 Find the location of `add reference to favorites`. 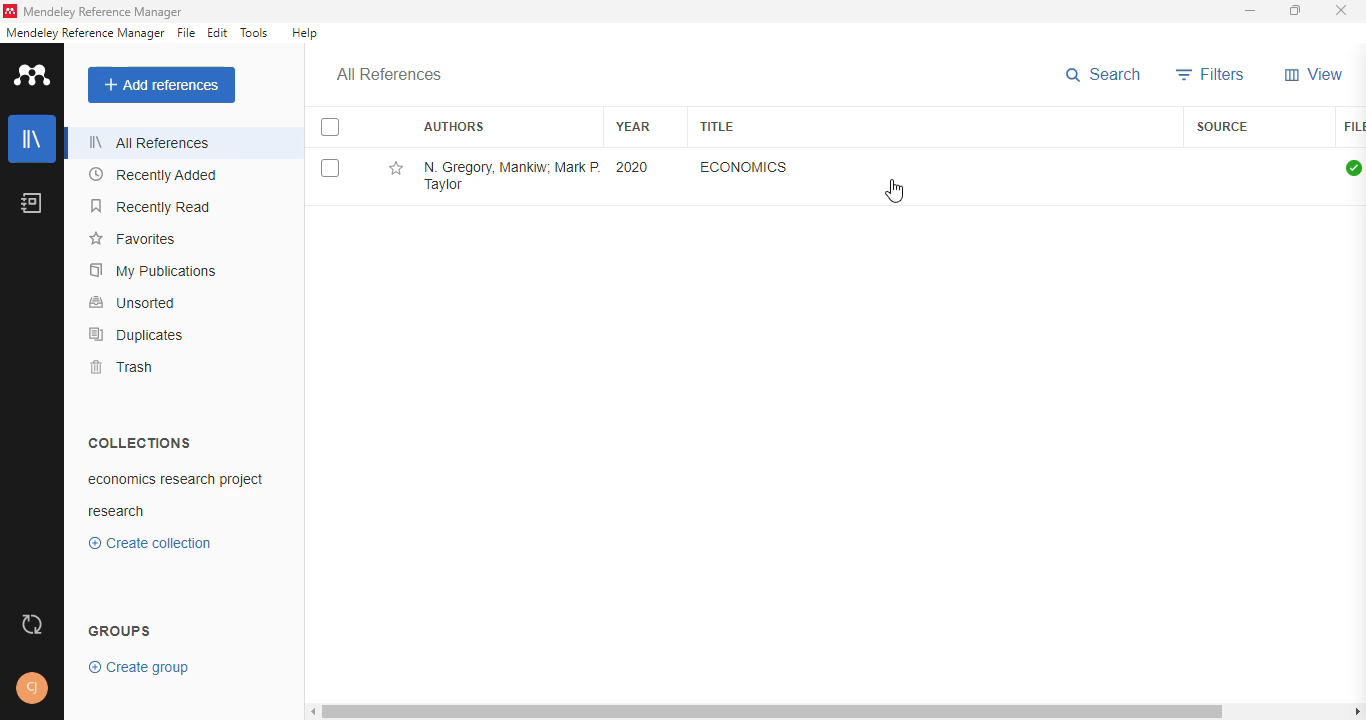

add reference to favorites is located at coordinates (398, 168).